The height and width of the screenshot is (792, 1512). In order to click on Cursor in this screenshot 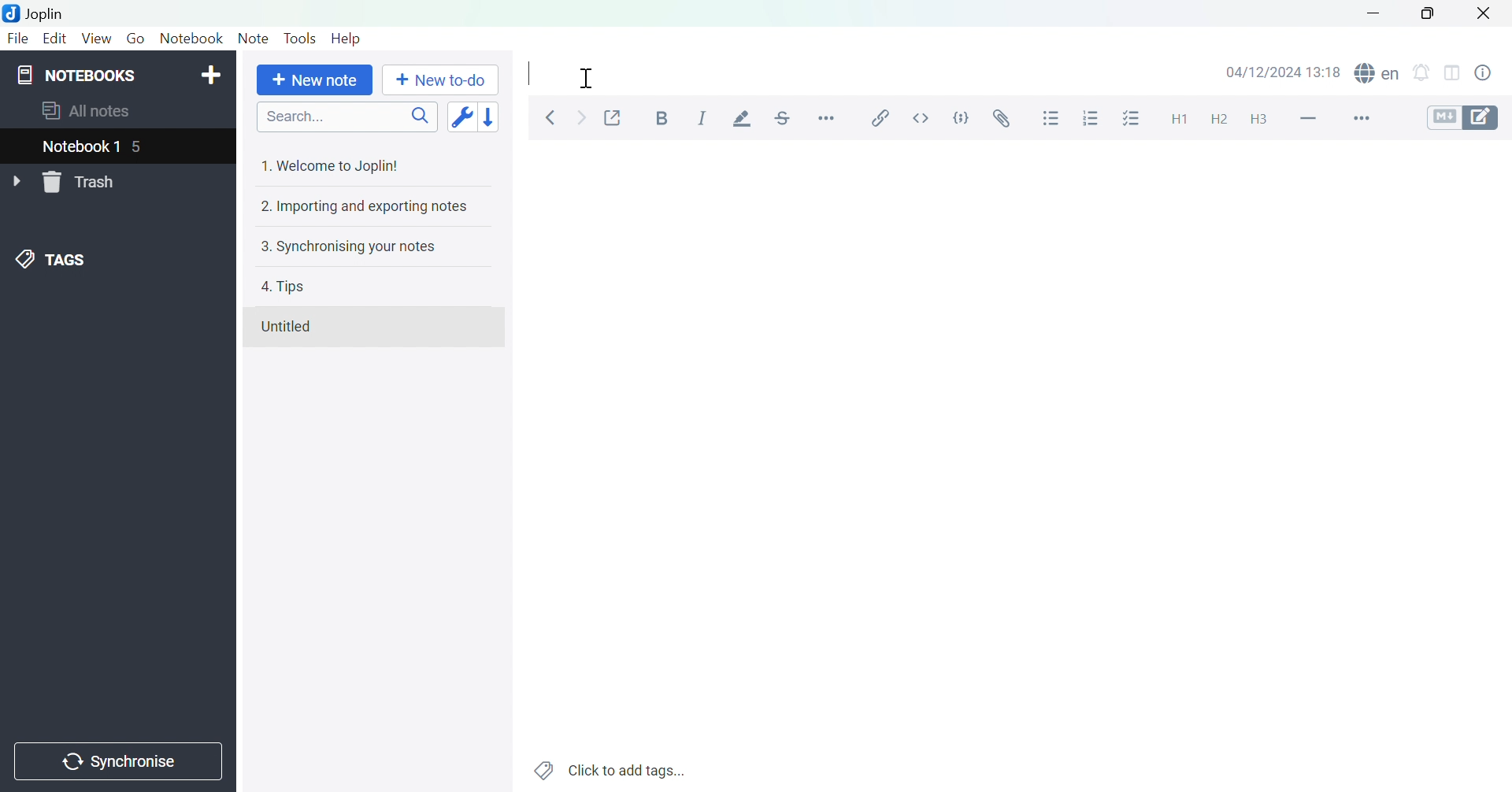, I will do `click(588, 76)`.